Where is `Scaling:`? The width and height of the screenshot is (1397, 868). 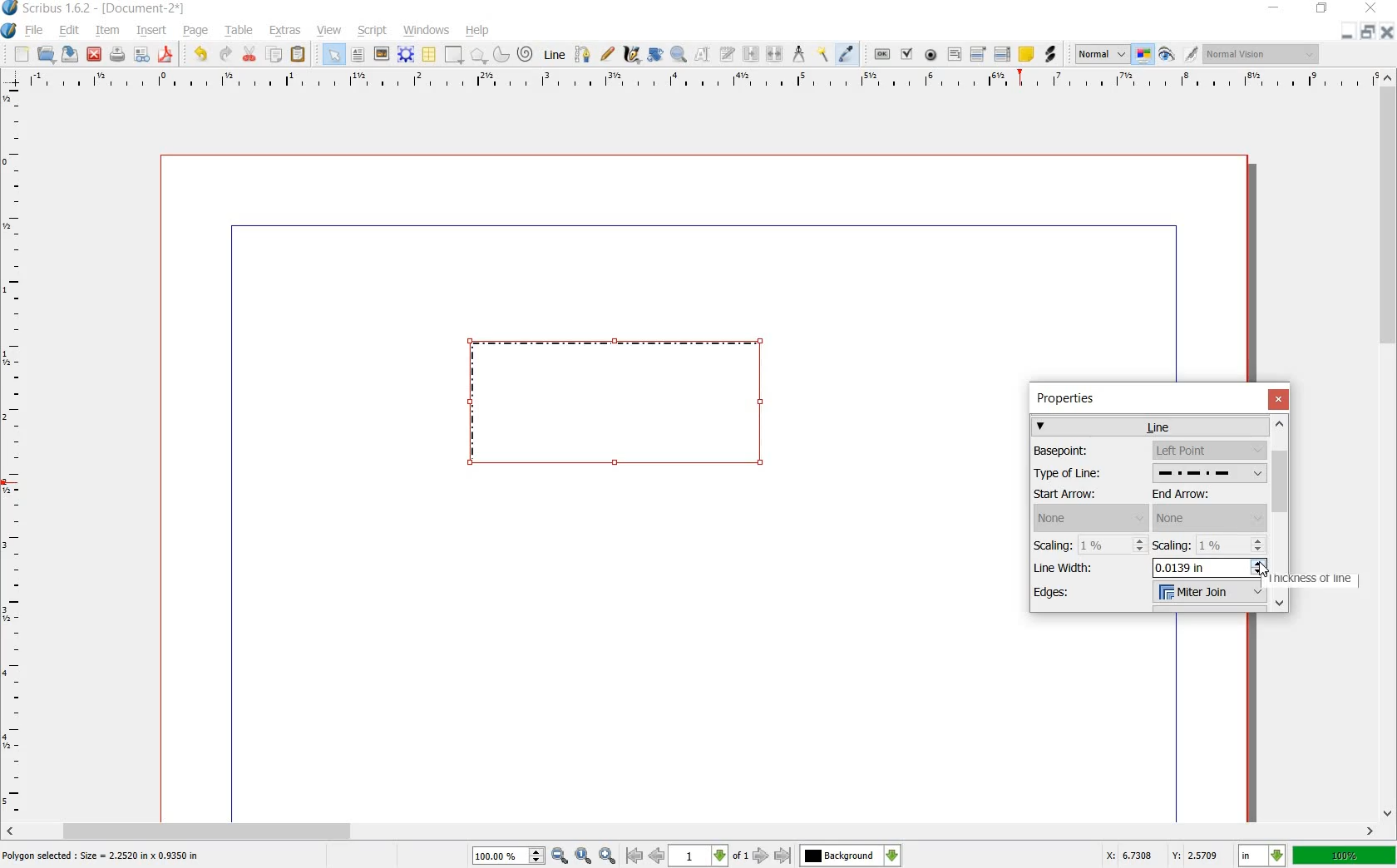
Scaling: is located at coordinates (1172, 545).